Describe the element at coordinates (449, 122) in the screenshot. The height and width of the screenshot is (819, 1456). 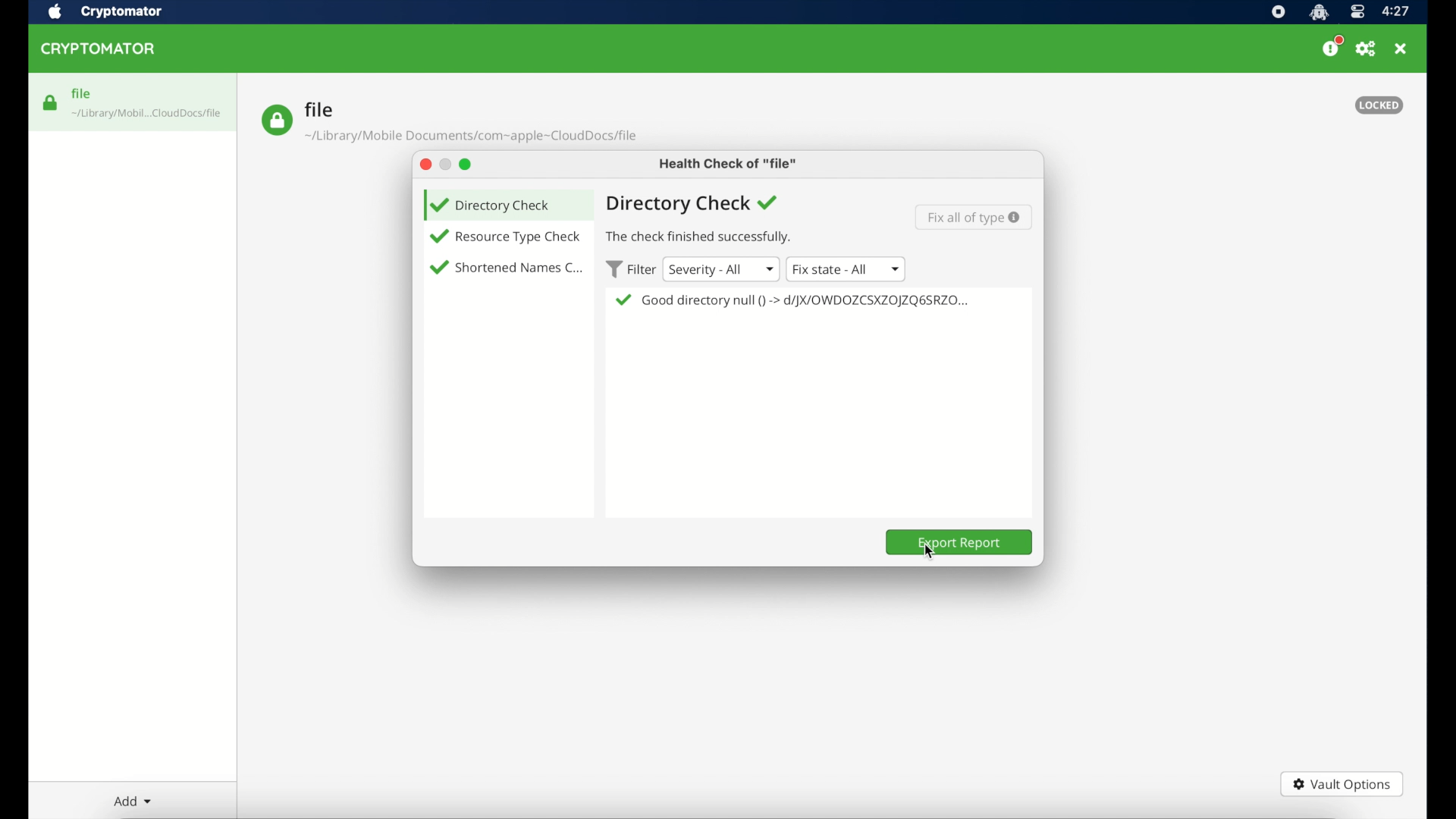
I see `file` at that location.